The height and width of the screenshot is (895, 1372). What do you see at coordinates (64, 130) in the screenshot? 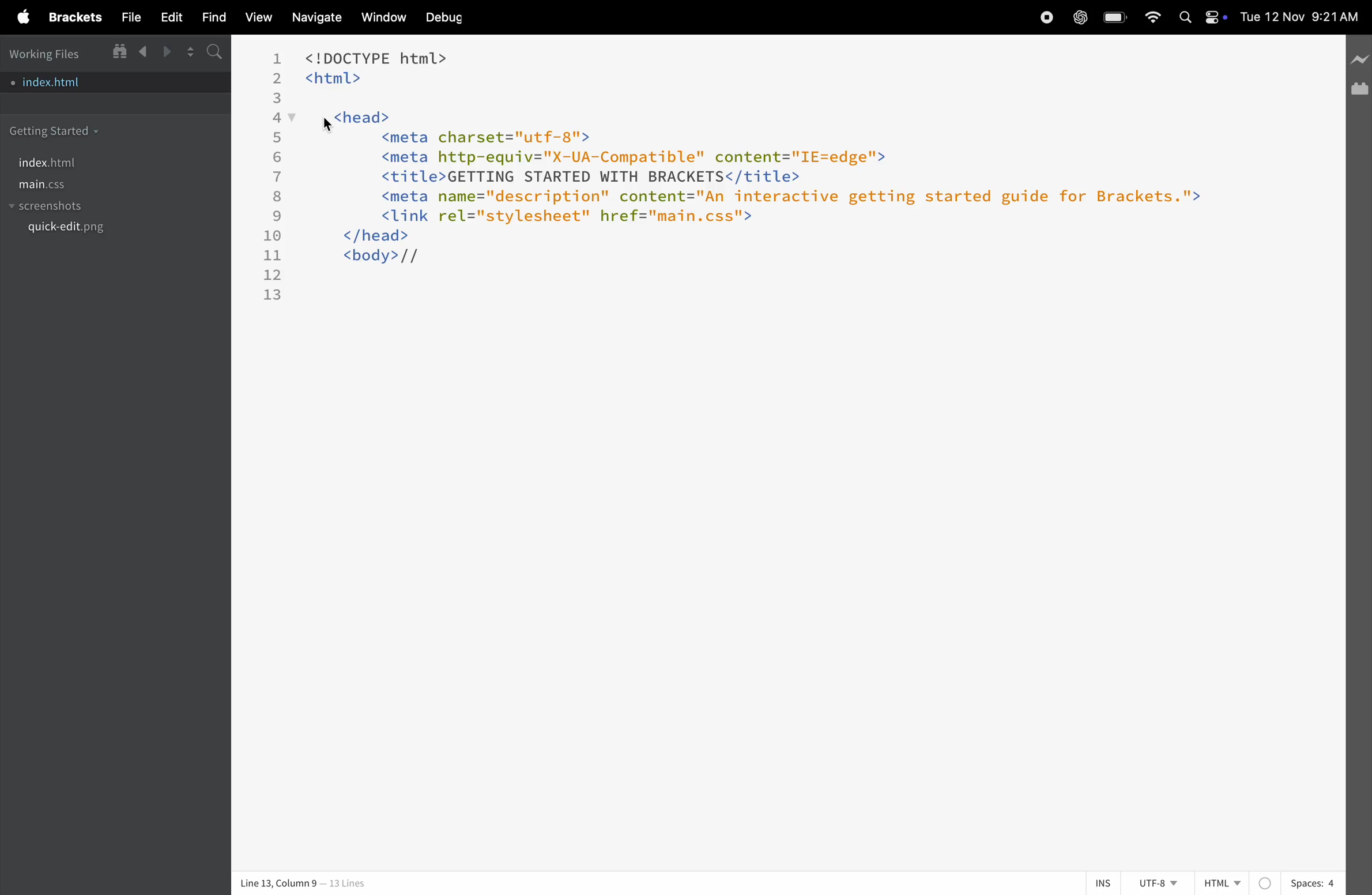
I see `getting started` at bounding box center [64, 130].